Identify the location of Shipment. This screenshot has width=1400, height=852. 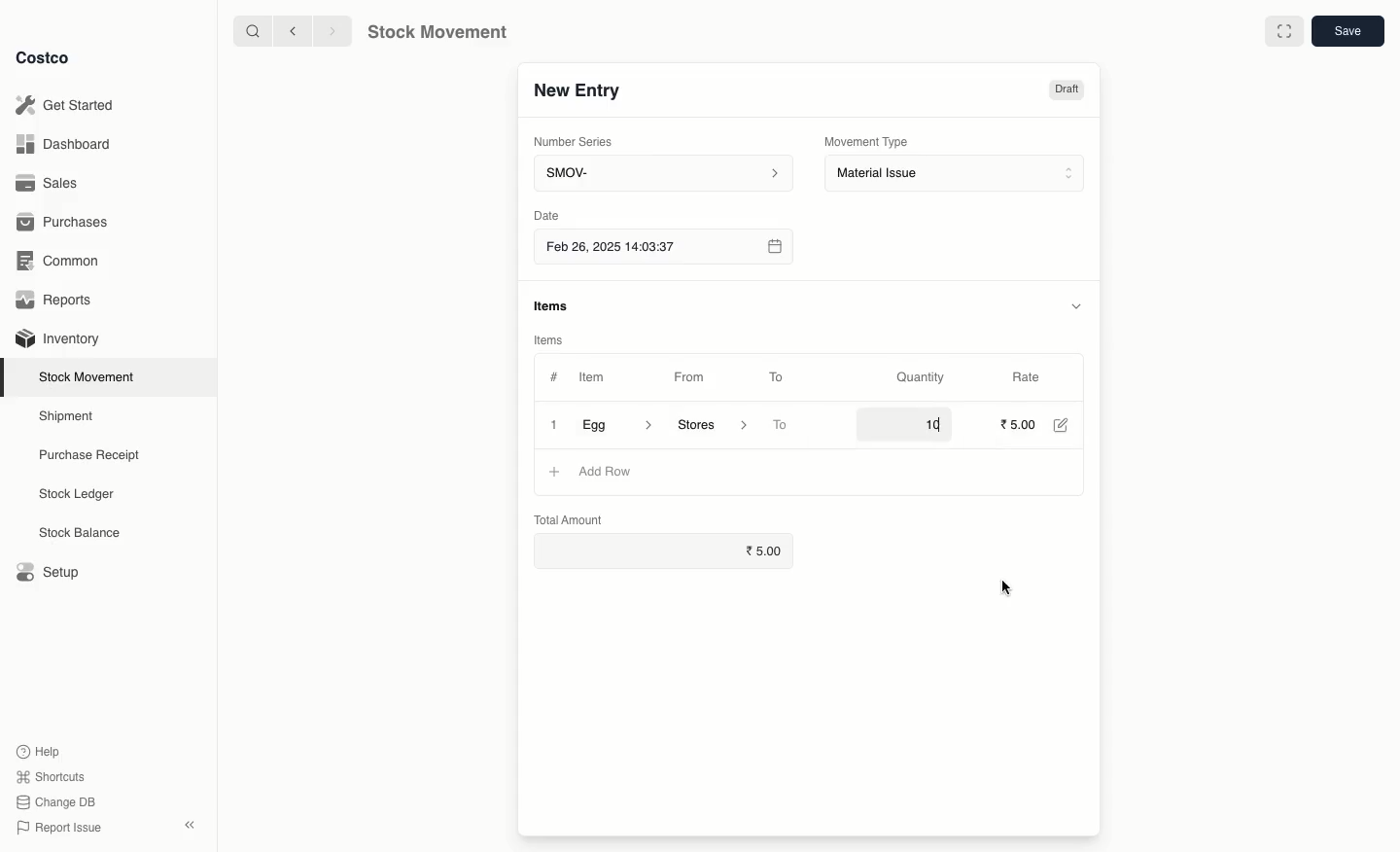
(67, 417).